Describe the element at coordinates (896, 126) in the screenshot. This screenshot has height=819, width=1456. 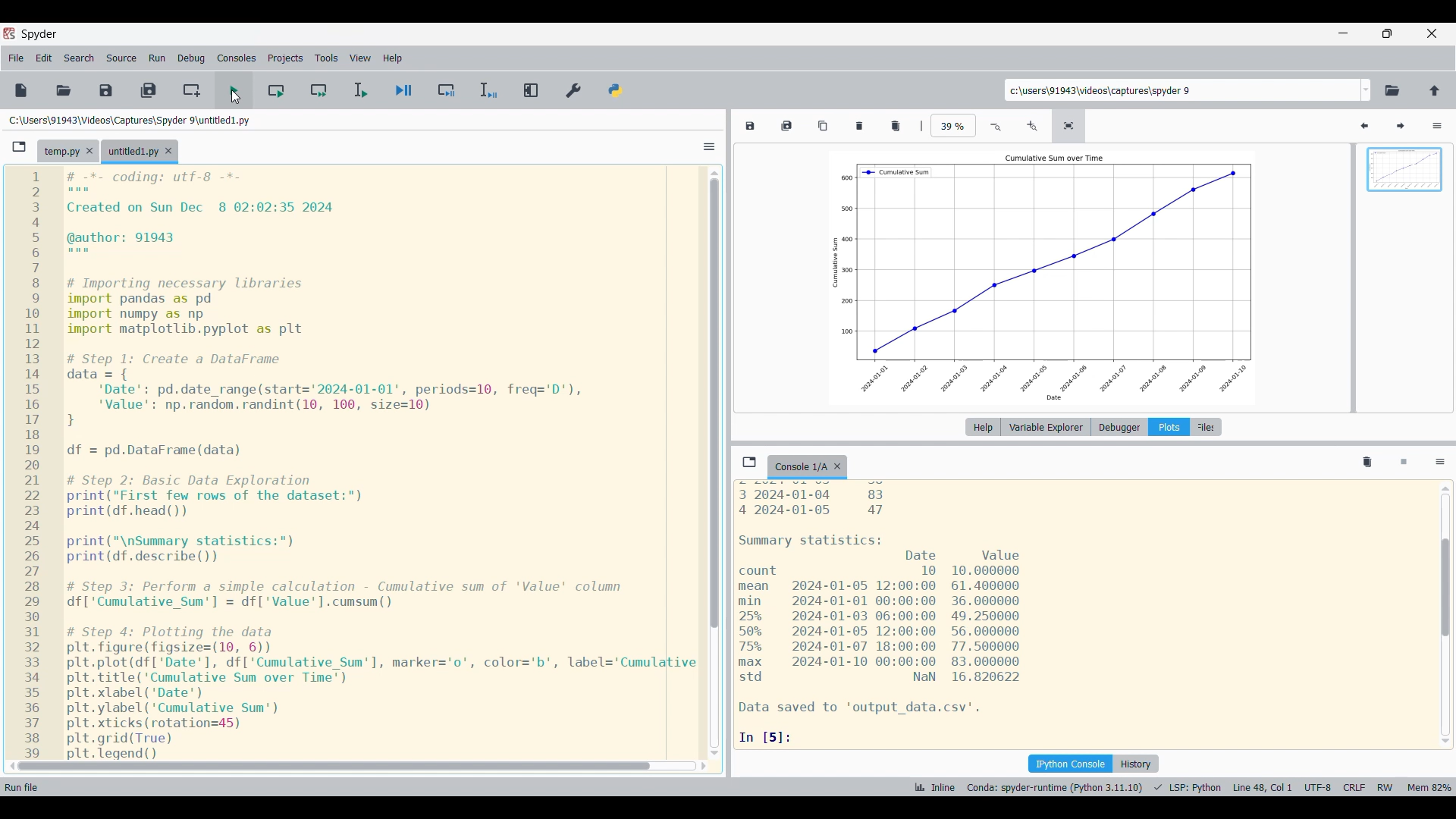
I see `Delete all plots` at that location.